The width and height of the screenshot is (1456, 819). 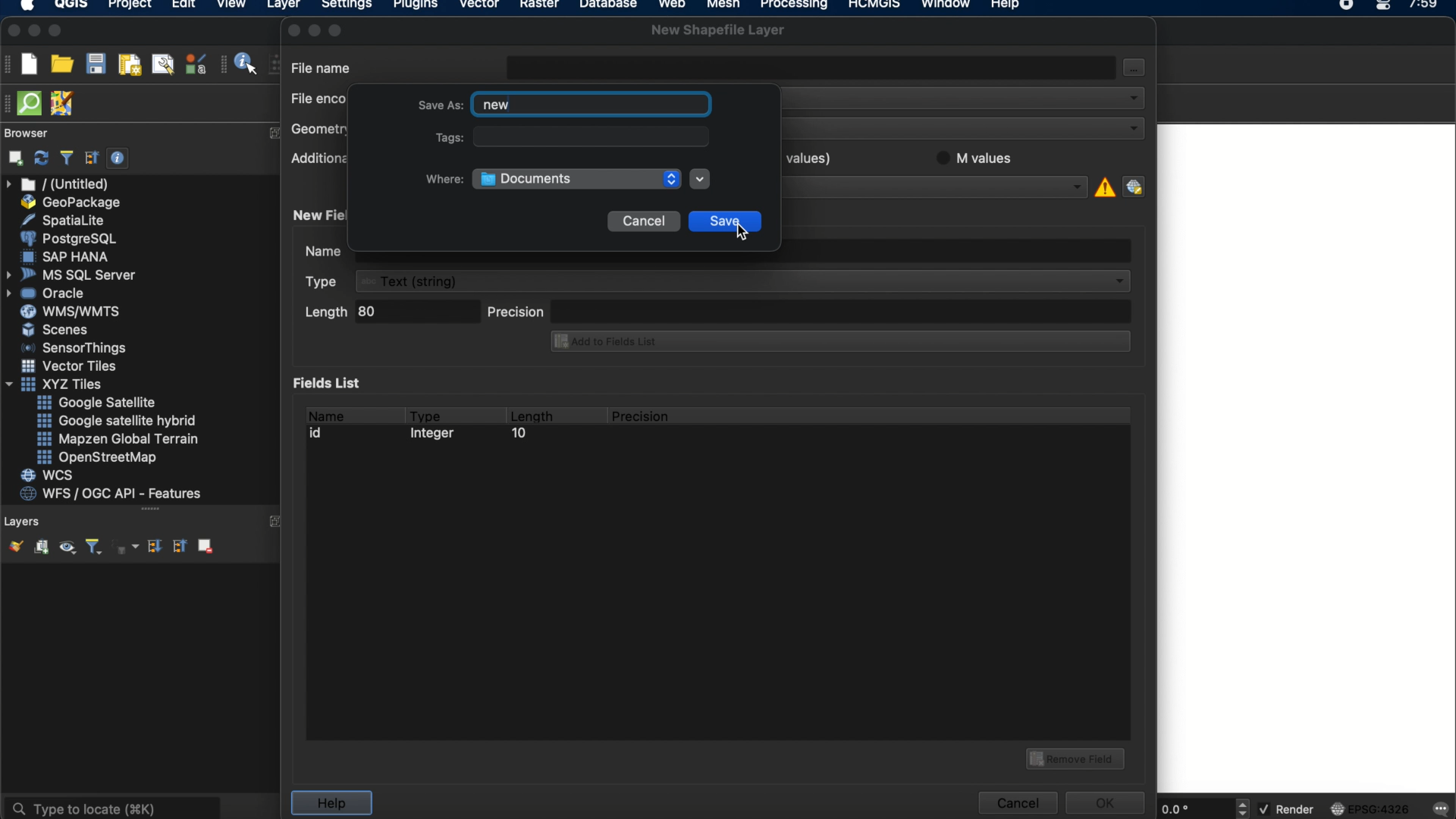 What do you see at coordinates (1107, 801) in the screenshot?
I see `ok` at bounding box center [1107, 801].